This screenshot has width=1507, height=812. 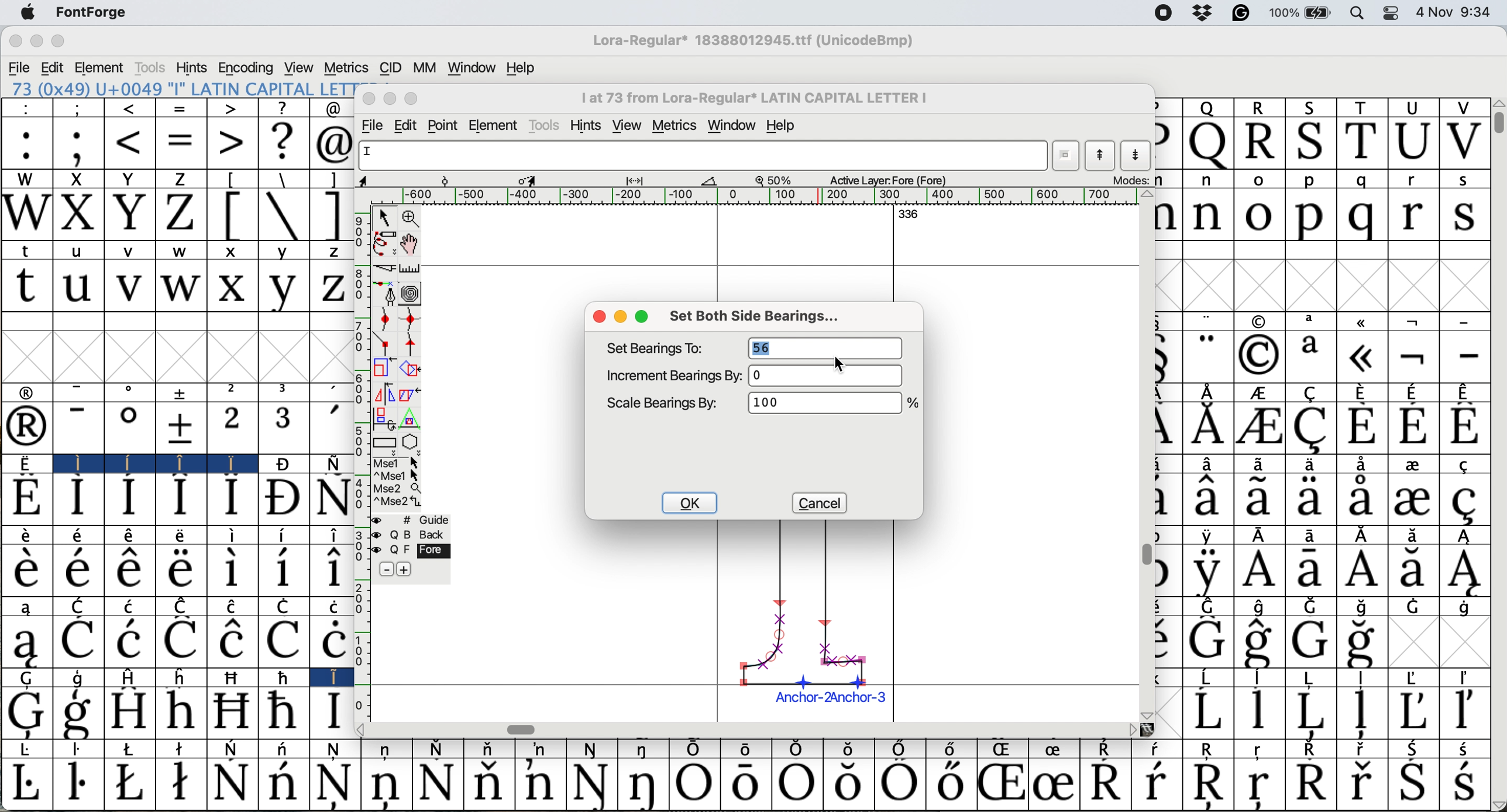 I want to click on , so click(x=913, y=404).